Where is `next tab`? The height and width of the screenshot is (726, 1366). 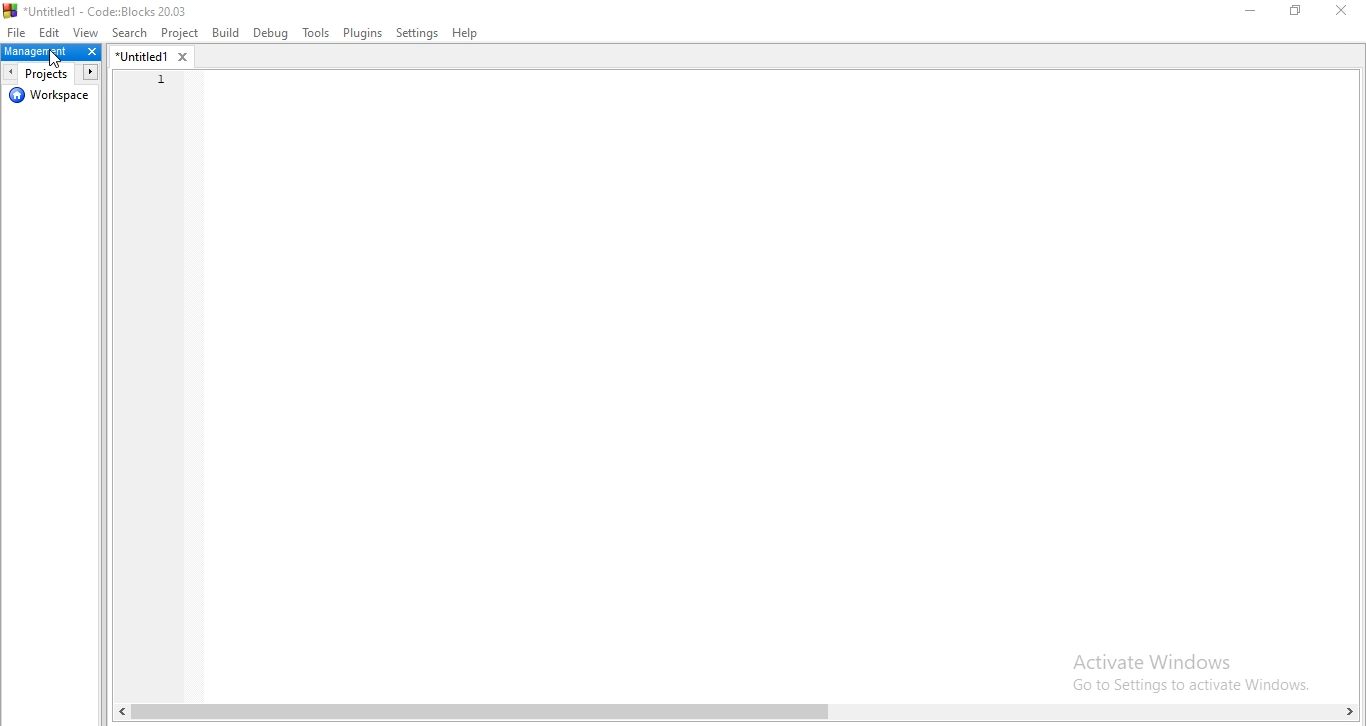 next tab is located at coordinates (91, 72).